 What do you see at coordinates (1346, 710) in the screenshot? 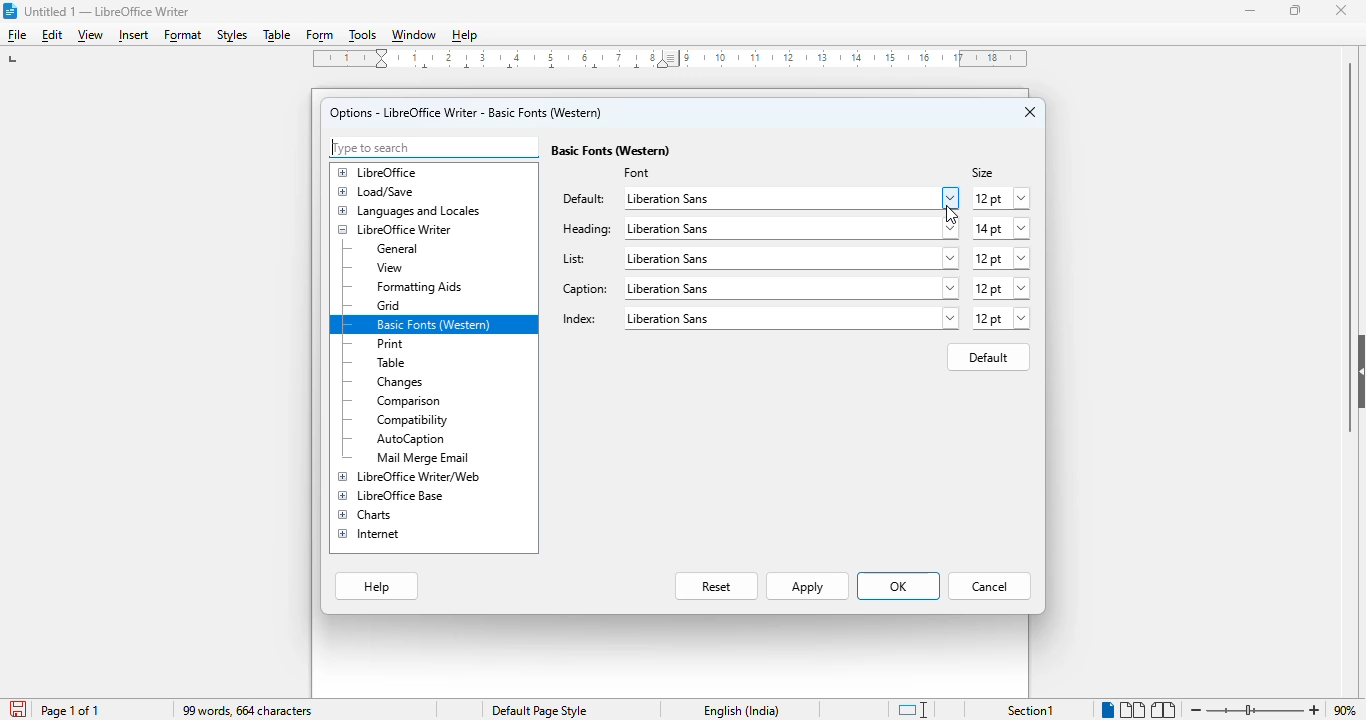
I see `zoom factor` at bounding box center [1346, 710].